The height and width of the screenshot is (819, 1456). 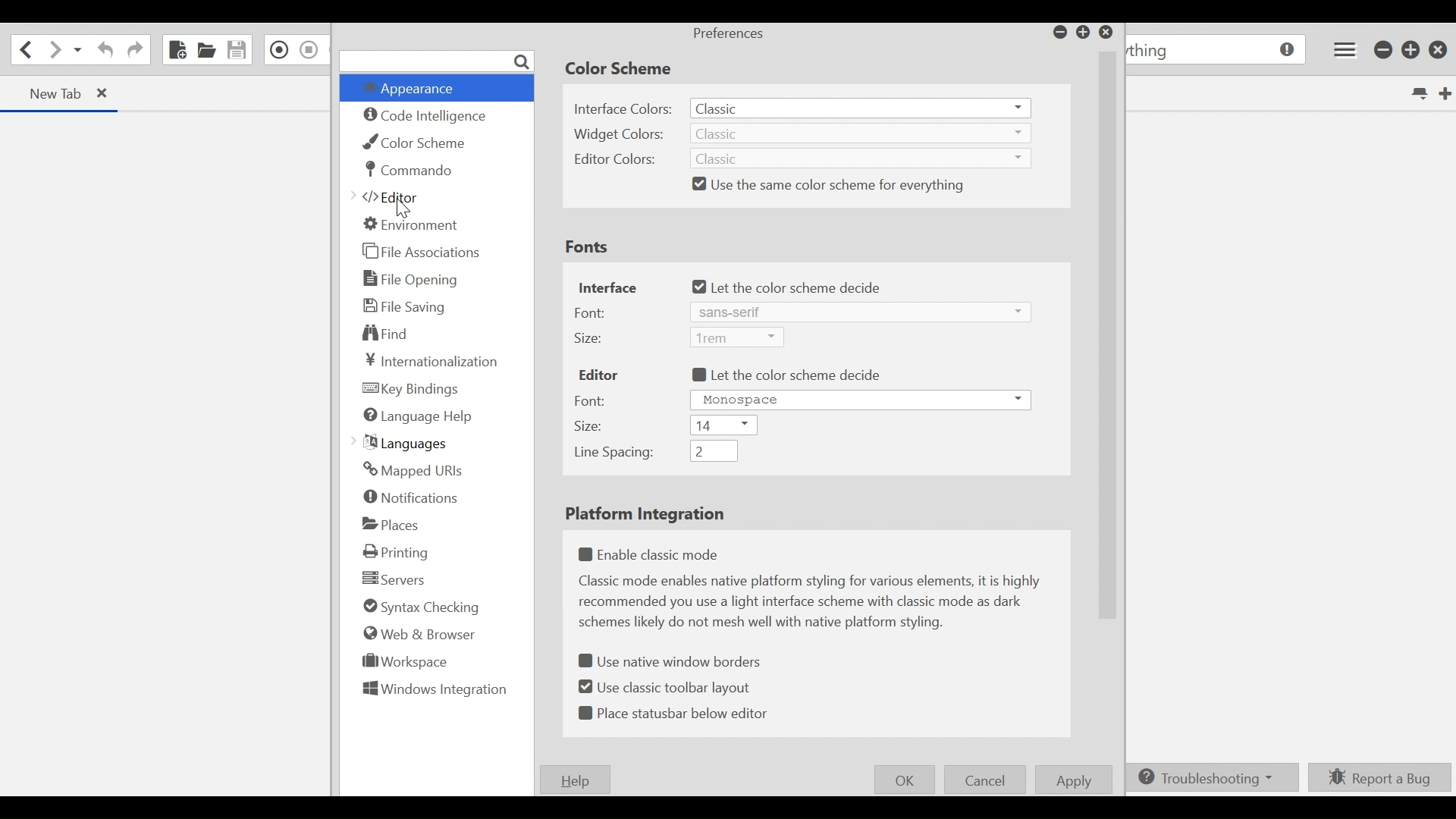 What do you see at coordinates (981, 779) in the screenshot?
I see `Cancel` at bounding box center [981, 779].